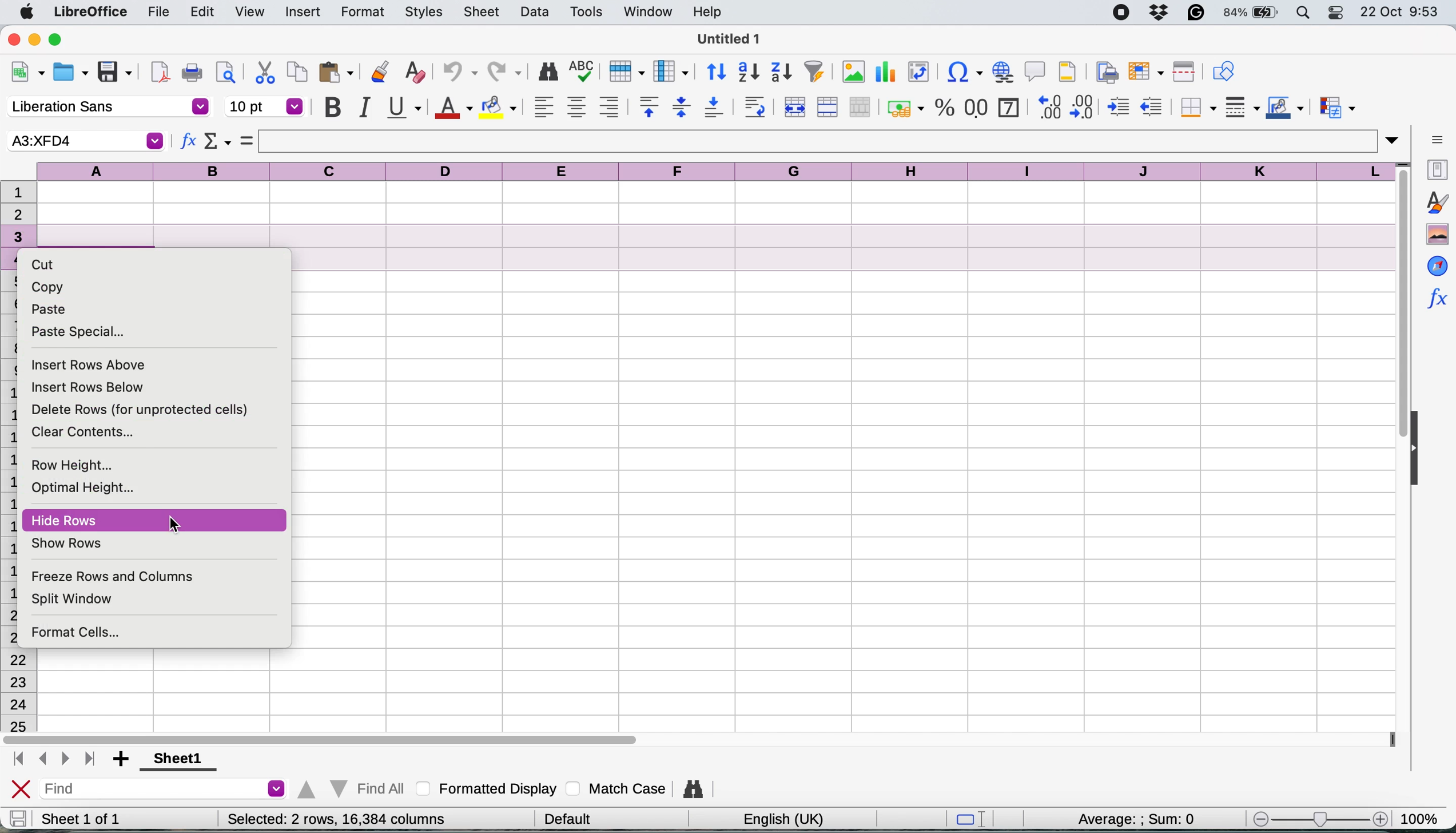  I want to click on selected cell, so click(84, 141).